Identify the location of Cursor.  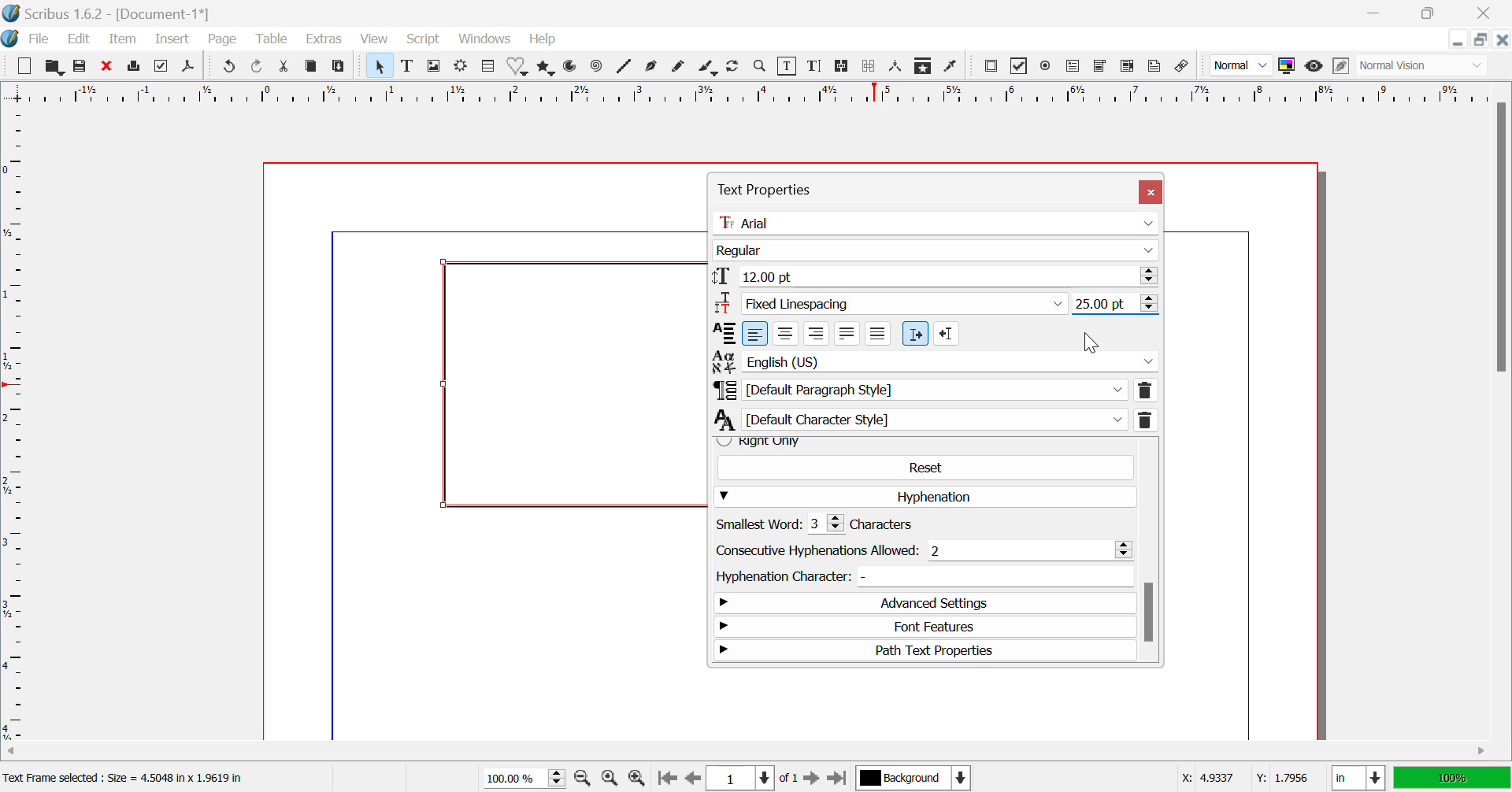
(1091, 342).